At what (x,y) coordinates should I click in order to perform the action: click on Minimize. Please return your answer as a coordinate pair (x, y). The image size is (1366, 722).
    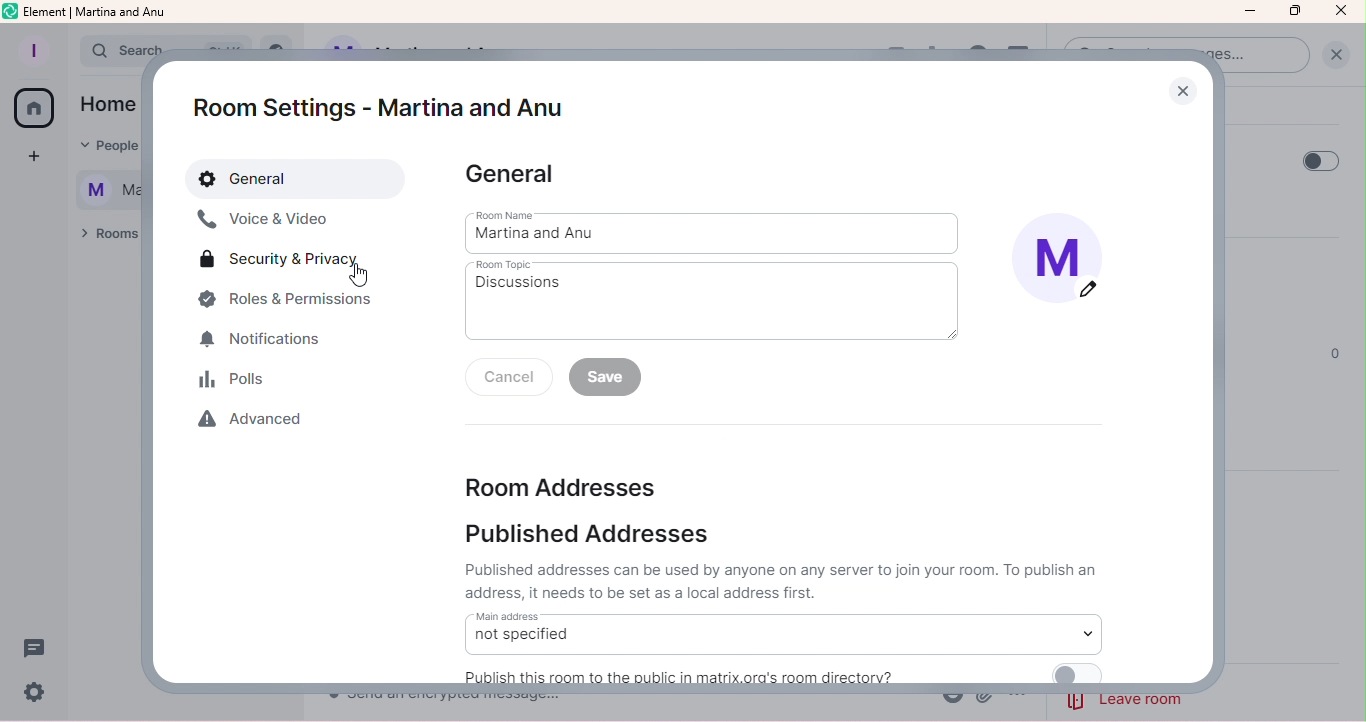
    Looking at the image, I should click on (1251, 14).